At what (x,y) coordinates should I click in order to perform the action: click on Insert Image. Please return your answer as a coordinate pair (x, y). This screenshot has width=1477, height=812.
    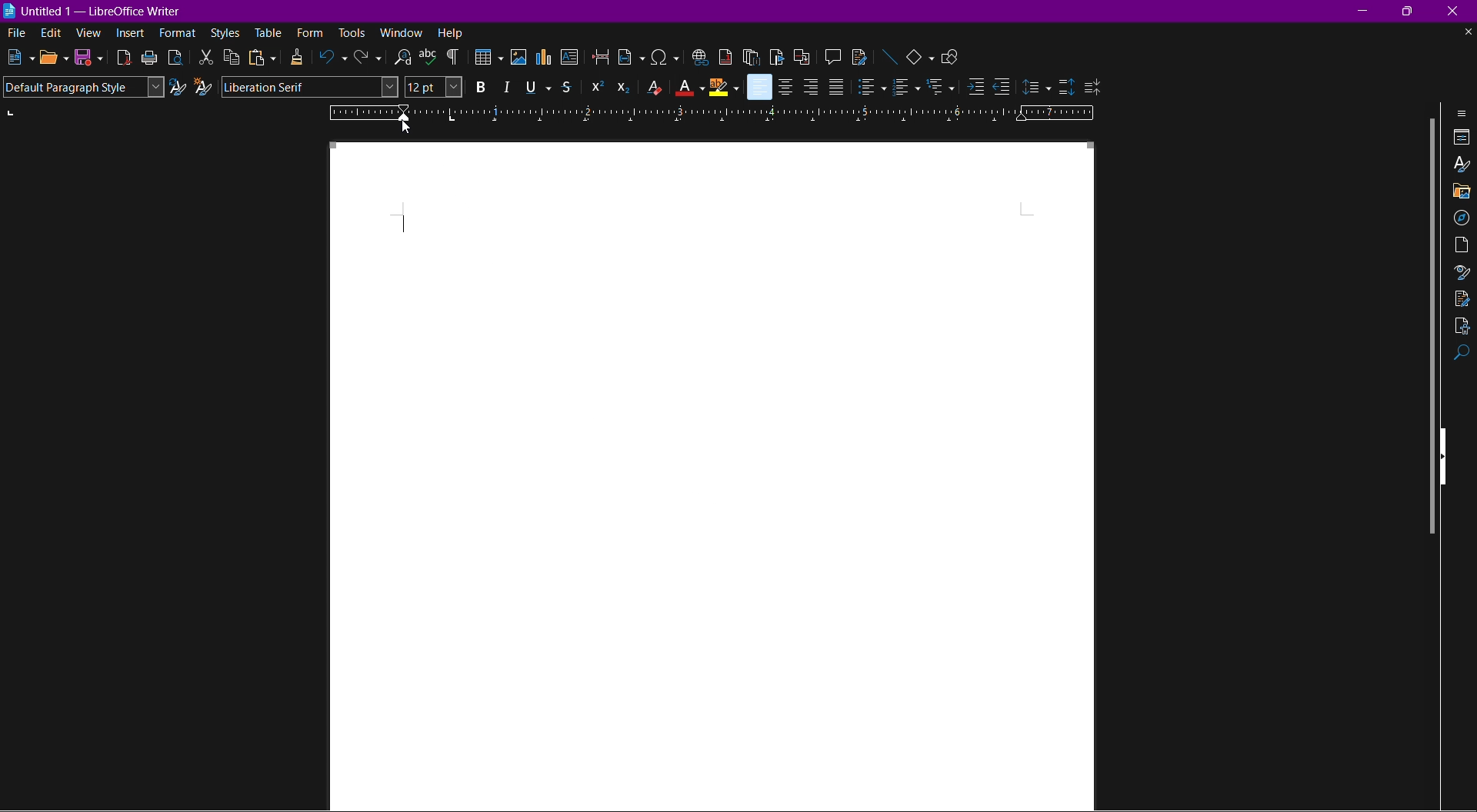
    Looking at the image, I should click on (519, 58).